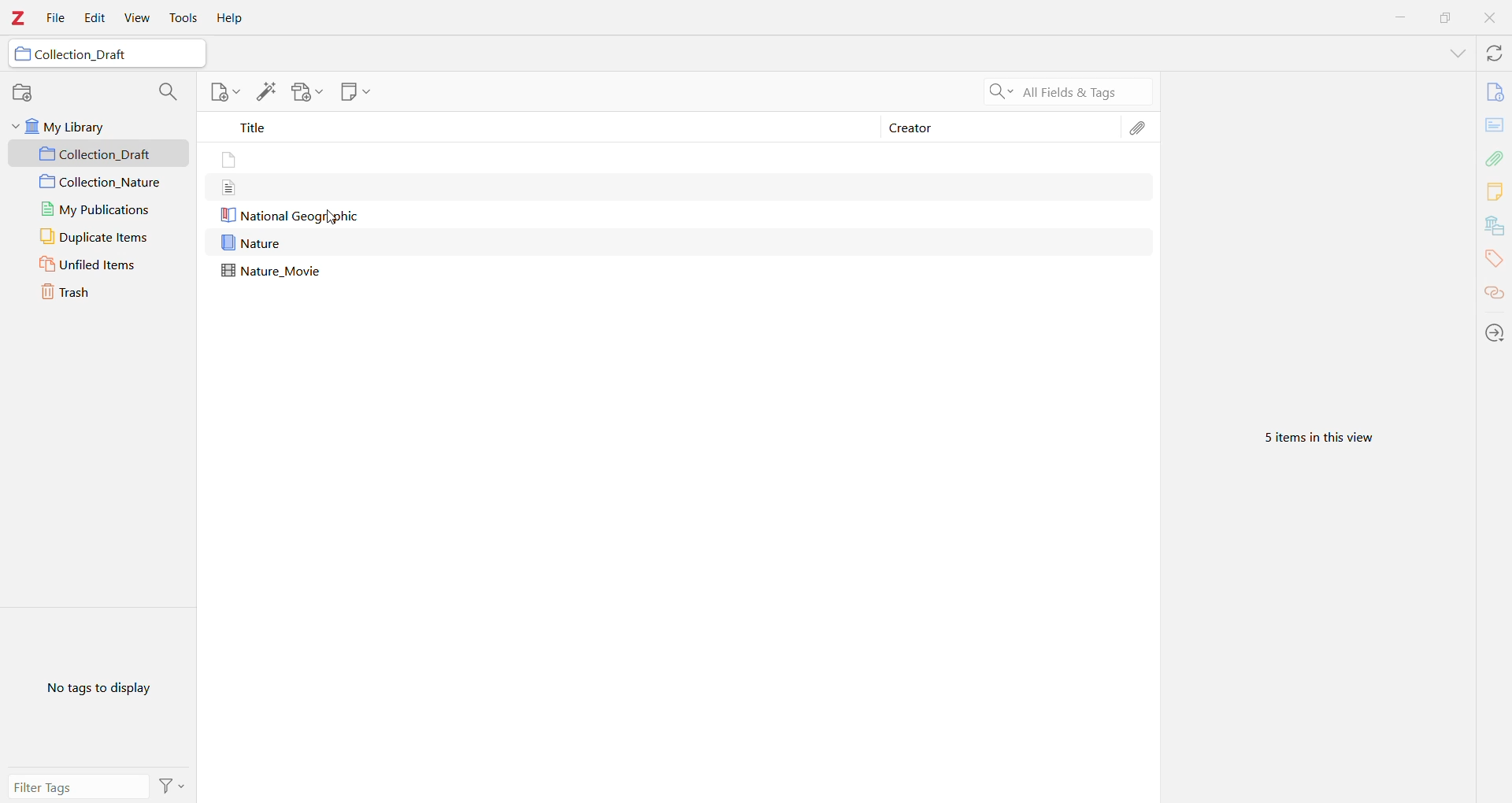 This screenshot has height=803, width=1512. Describe the element at coordinates (19, 18) in the screenshot. I see `Application Logo` at that location.